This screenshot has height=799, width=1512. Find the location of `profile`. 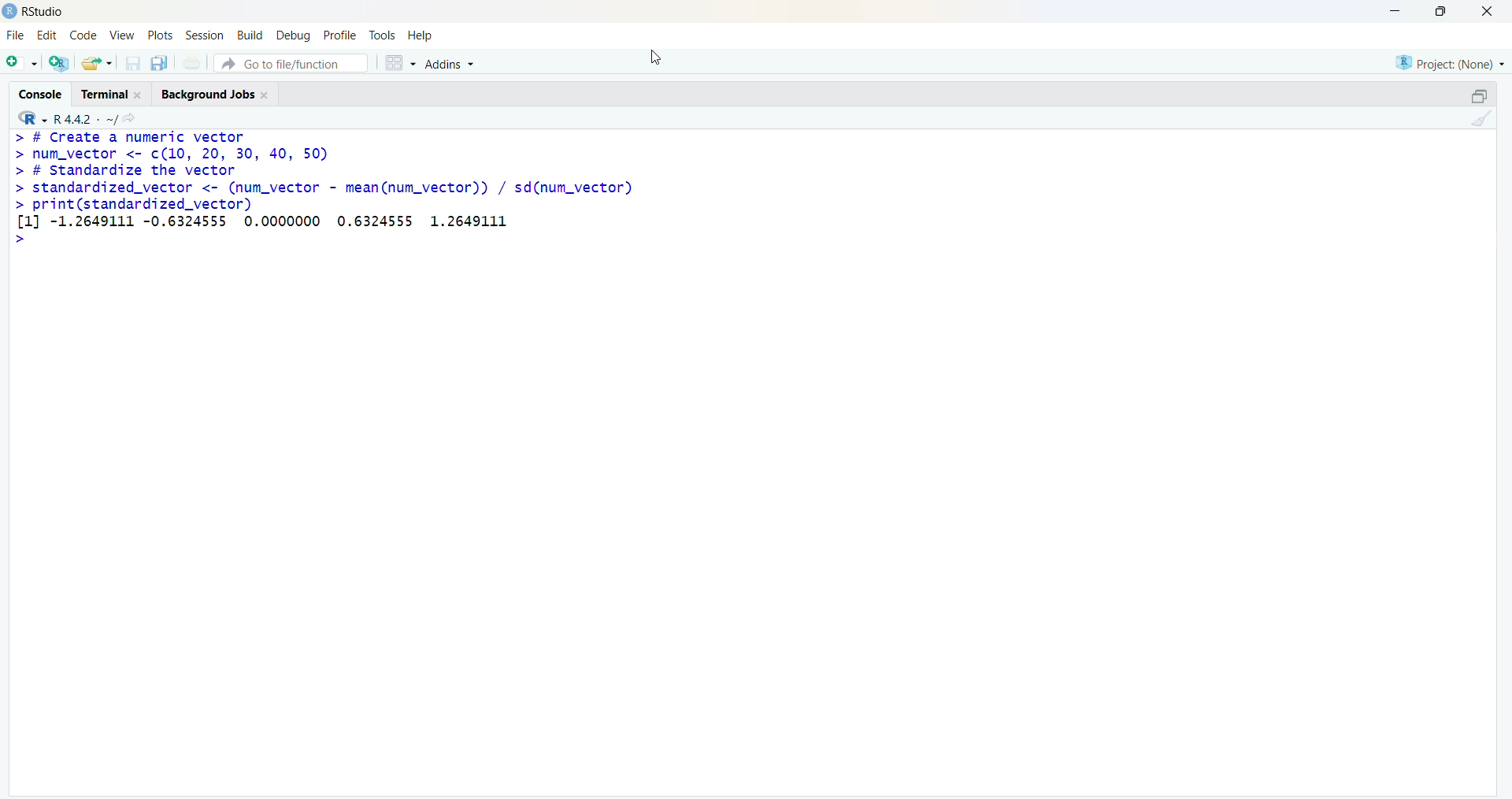

profile is located at coordinates (342, 35).